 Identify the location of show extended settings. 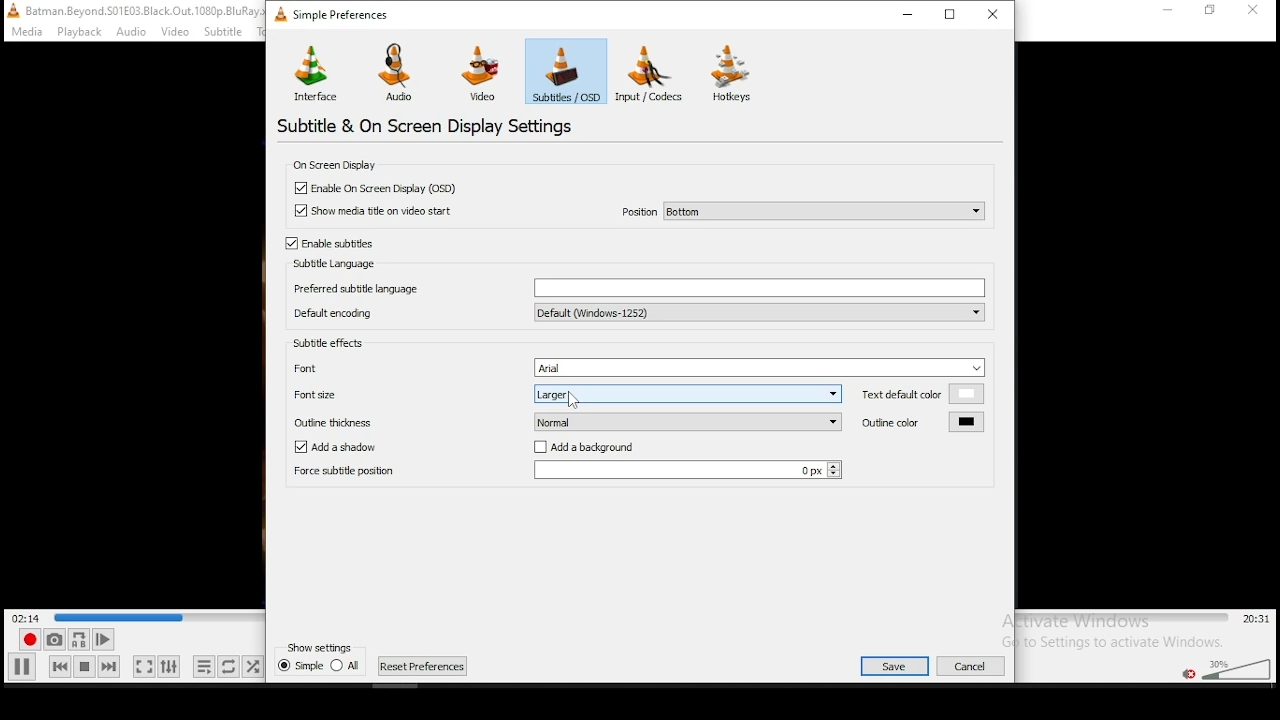
(168, 667).